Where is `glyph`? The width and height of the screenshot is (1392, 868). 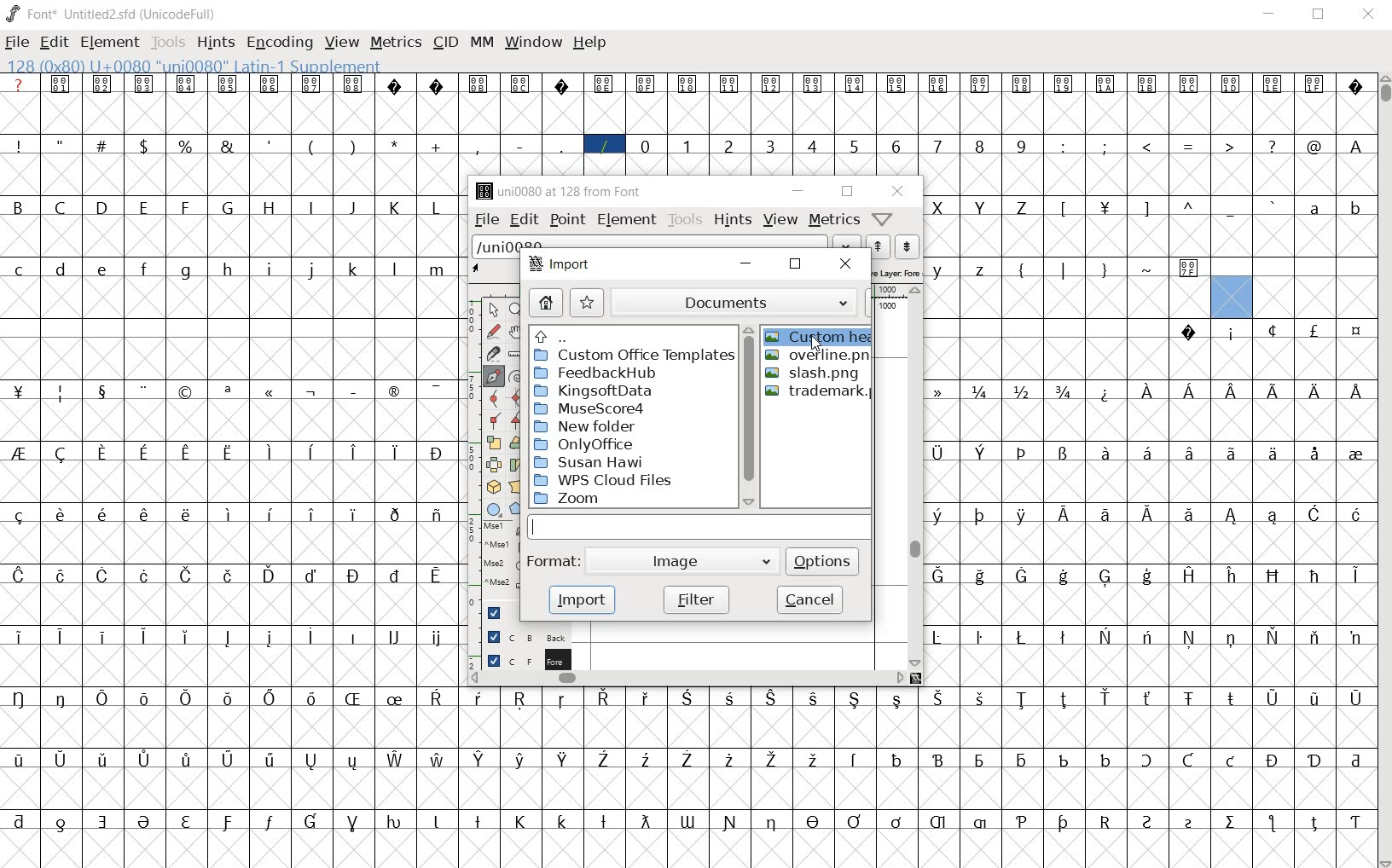
glyph is located at coordinates (1271, 823).